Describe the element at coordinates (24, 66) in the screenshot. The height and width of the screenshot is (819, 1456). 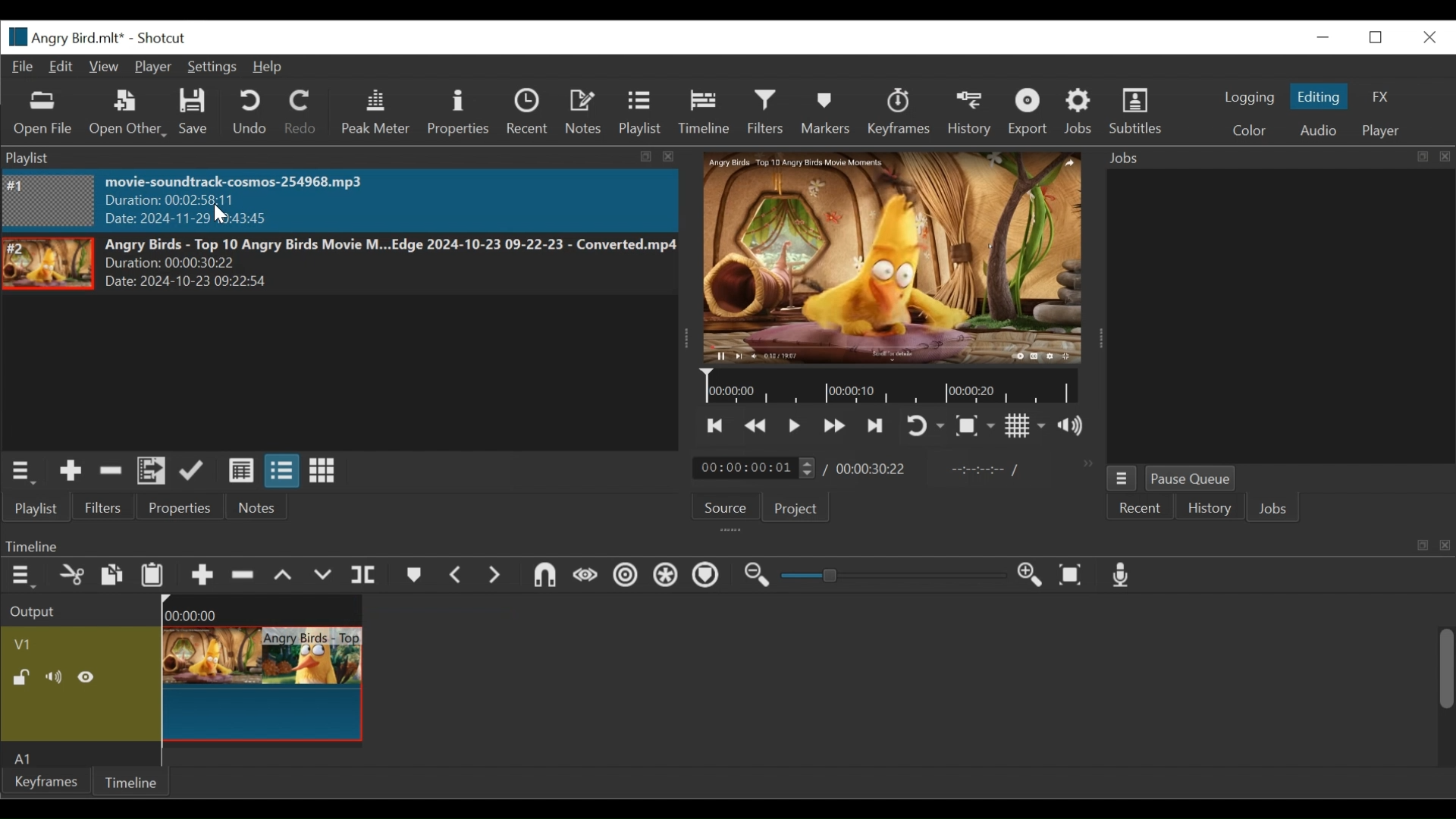
I see `File` at that location.